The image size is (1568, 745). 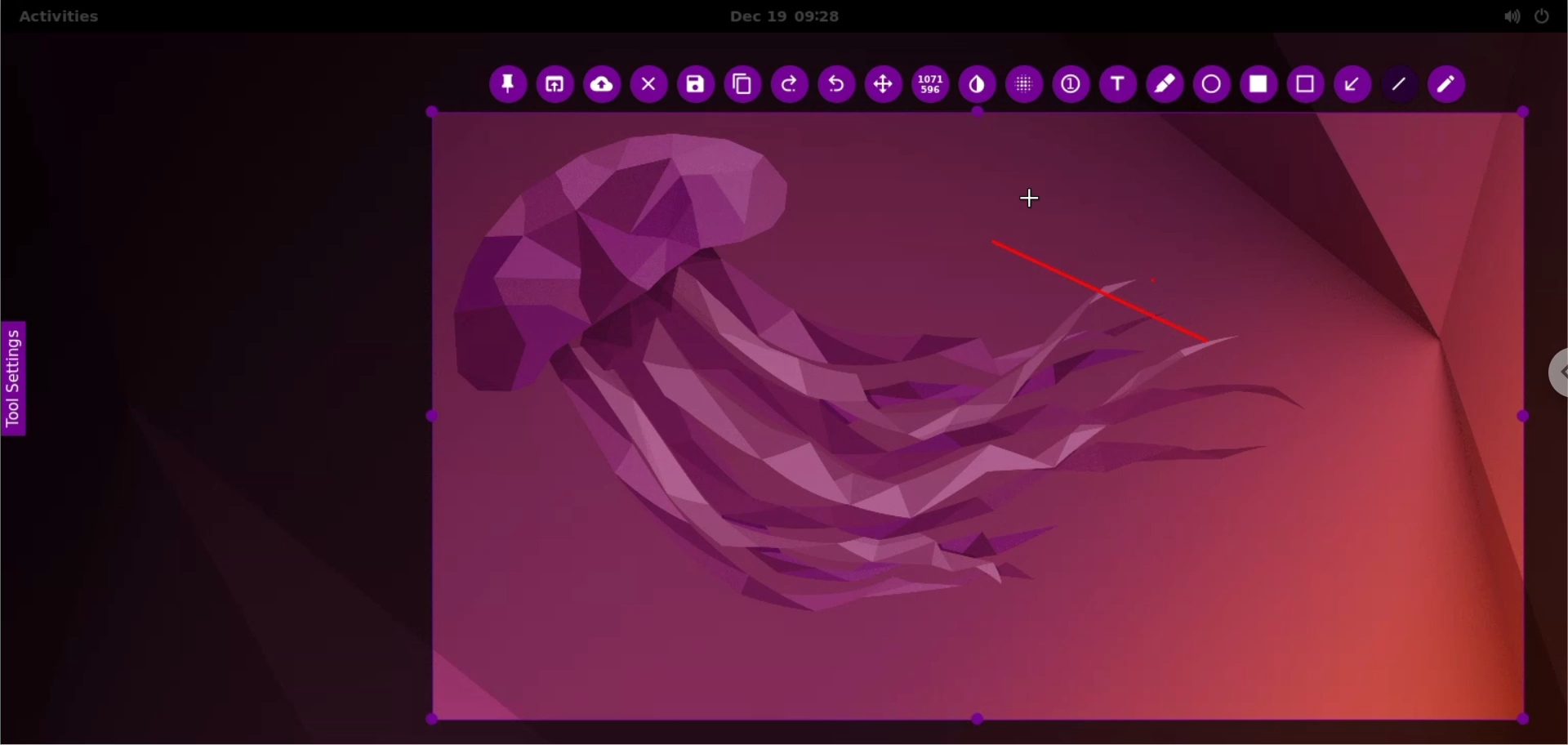 I want to click on cancel capture, so click(x=650, y=84).